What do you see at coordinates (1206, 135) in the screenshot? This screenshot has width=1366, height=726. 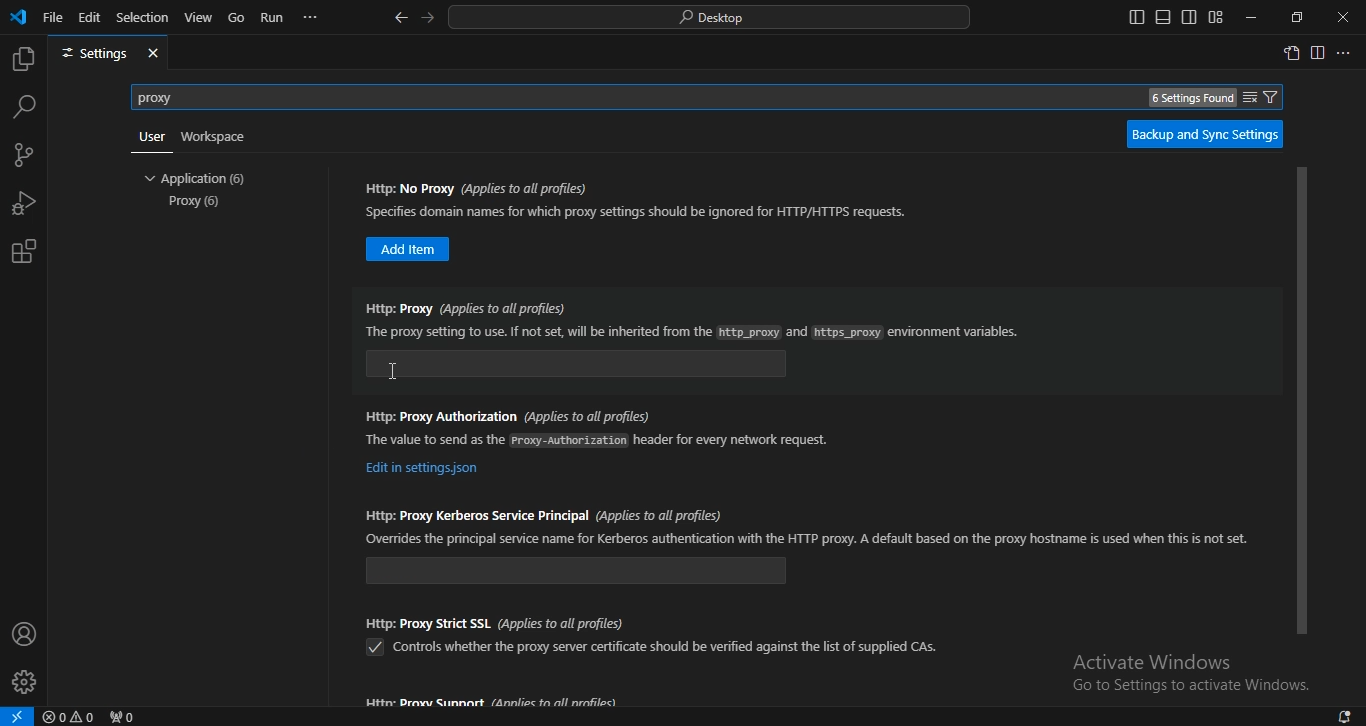 I see `backup and sync settings` at bounding box center [1206, 135].